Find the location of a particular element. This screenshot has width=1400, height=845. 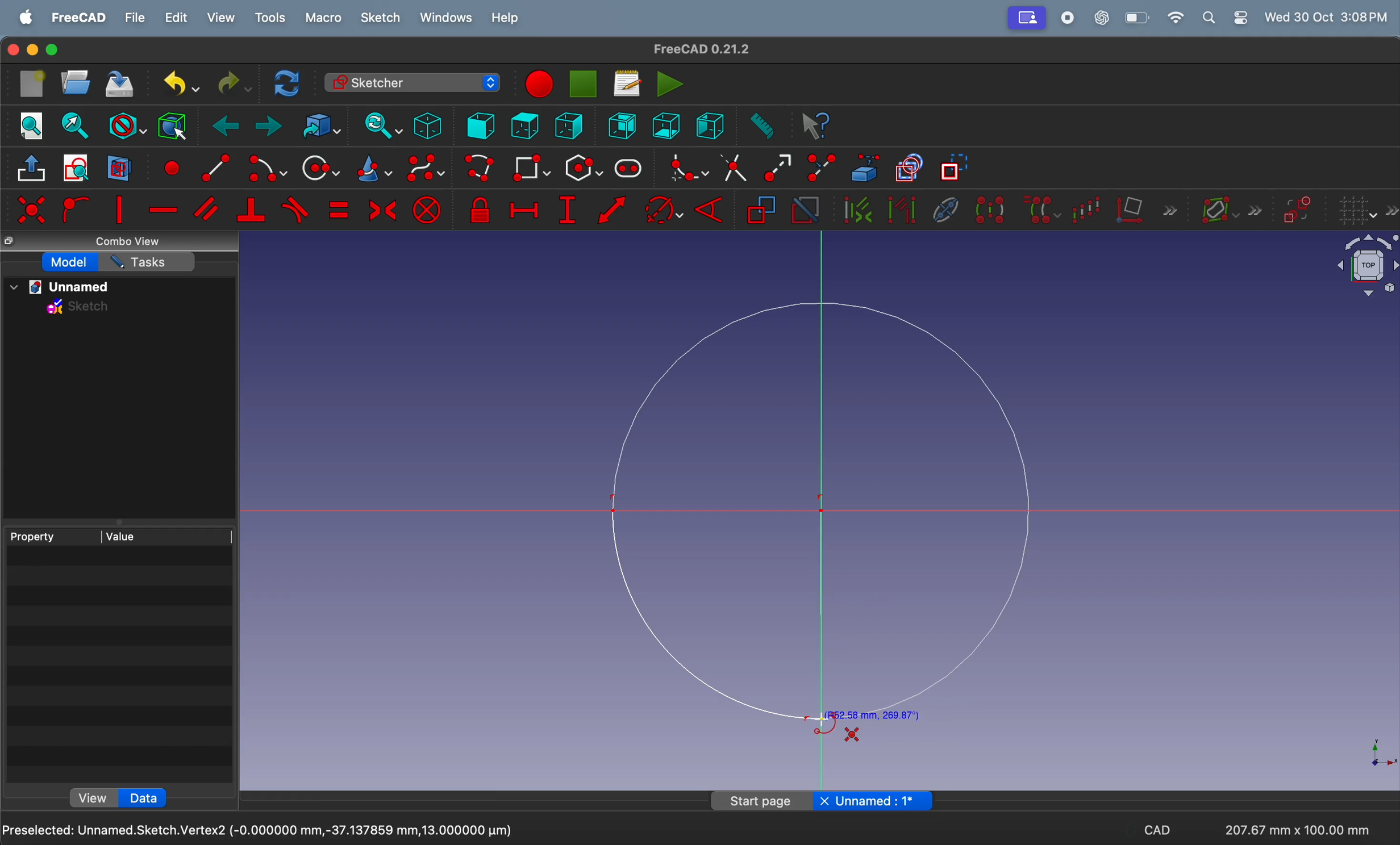

toggle copy is located at coordinates (910, 169).